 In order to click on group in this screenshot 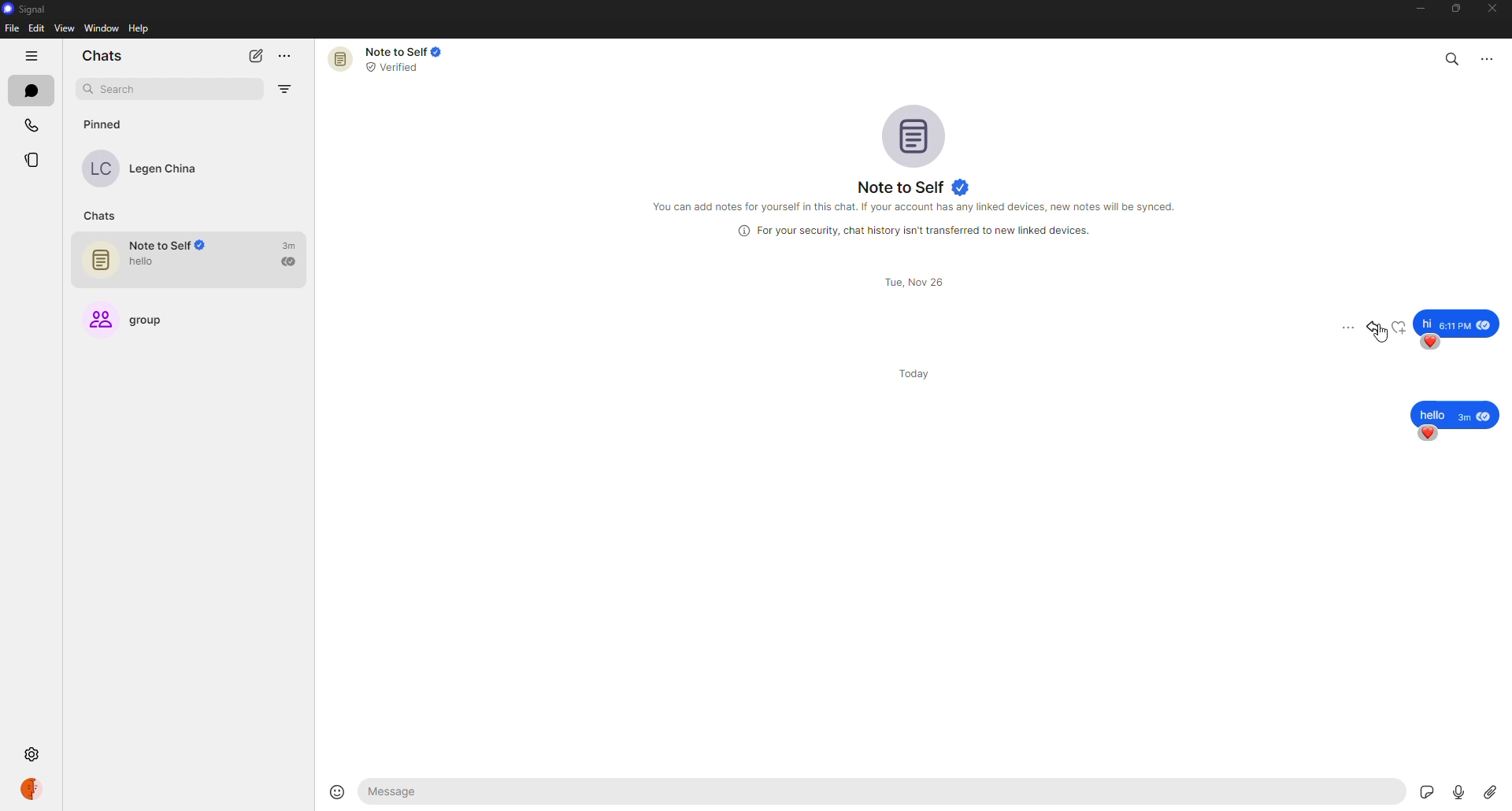, I will do `click(139, 320)`.